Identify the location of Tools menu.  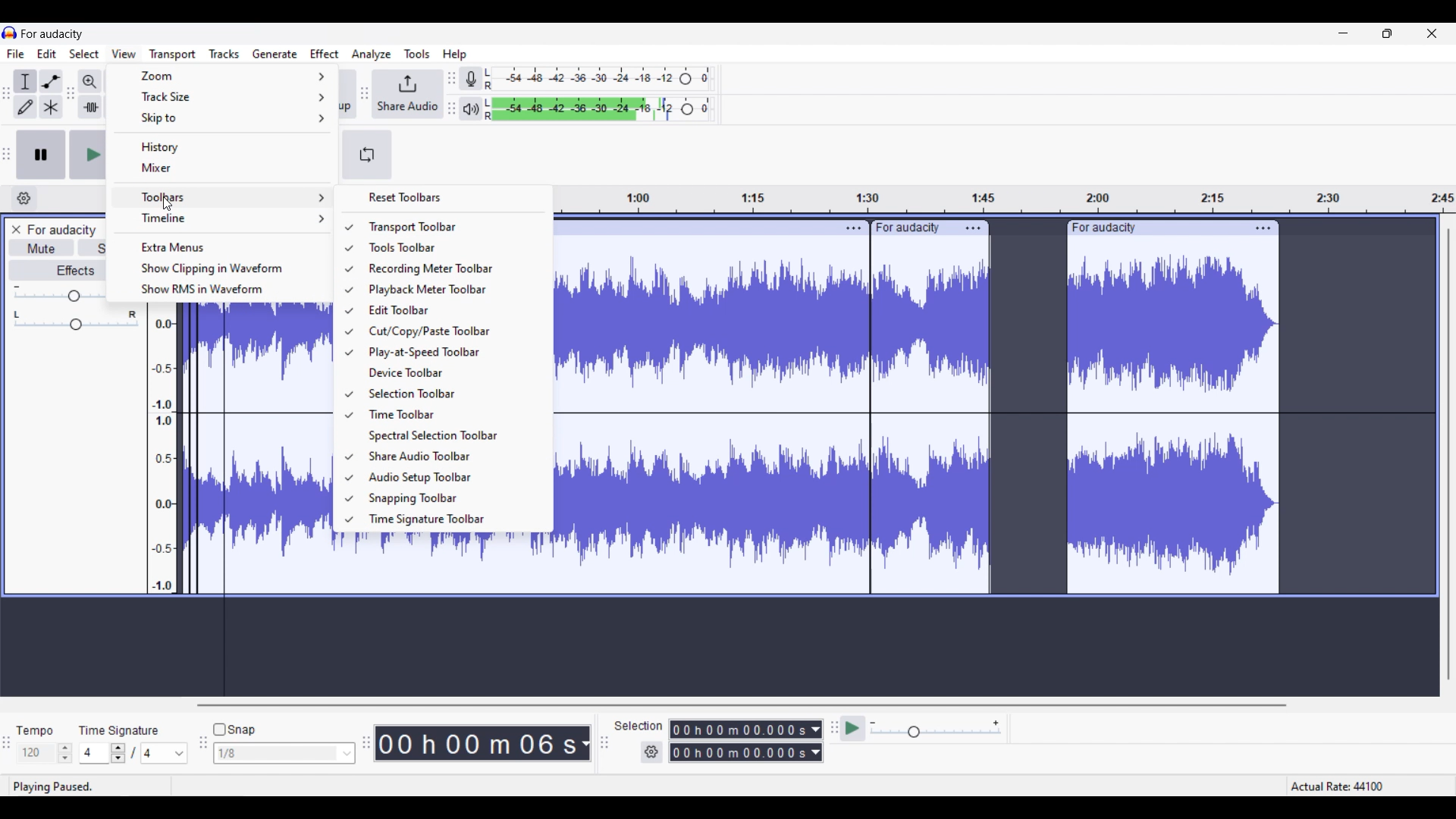
(418, 54).